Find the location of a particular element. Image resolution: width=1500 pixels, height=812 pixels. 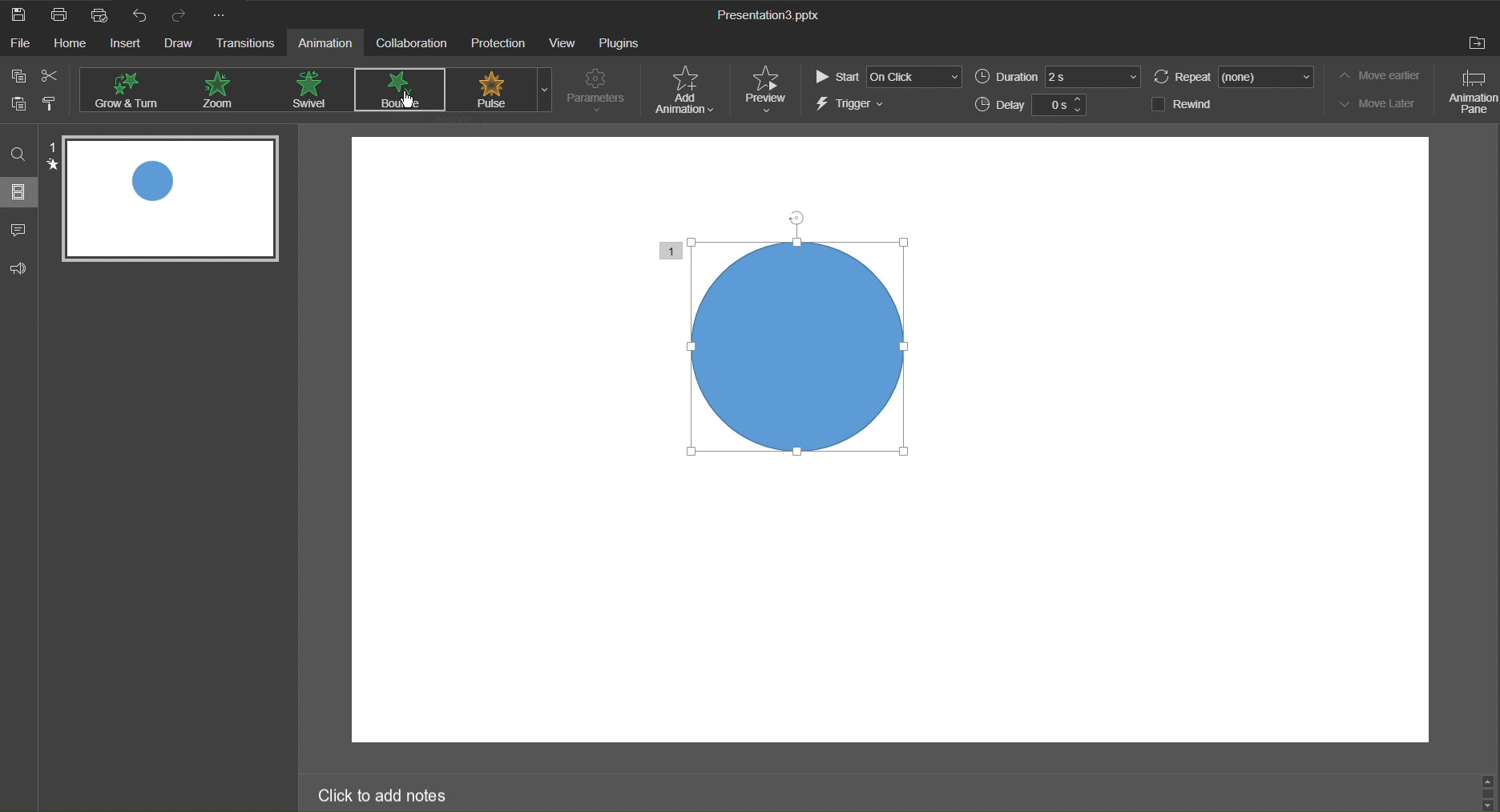

Plugins is located at coordinates (616, 44).